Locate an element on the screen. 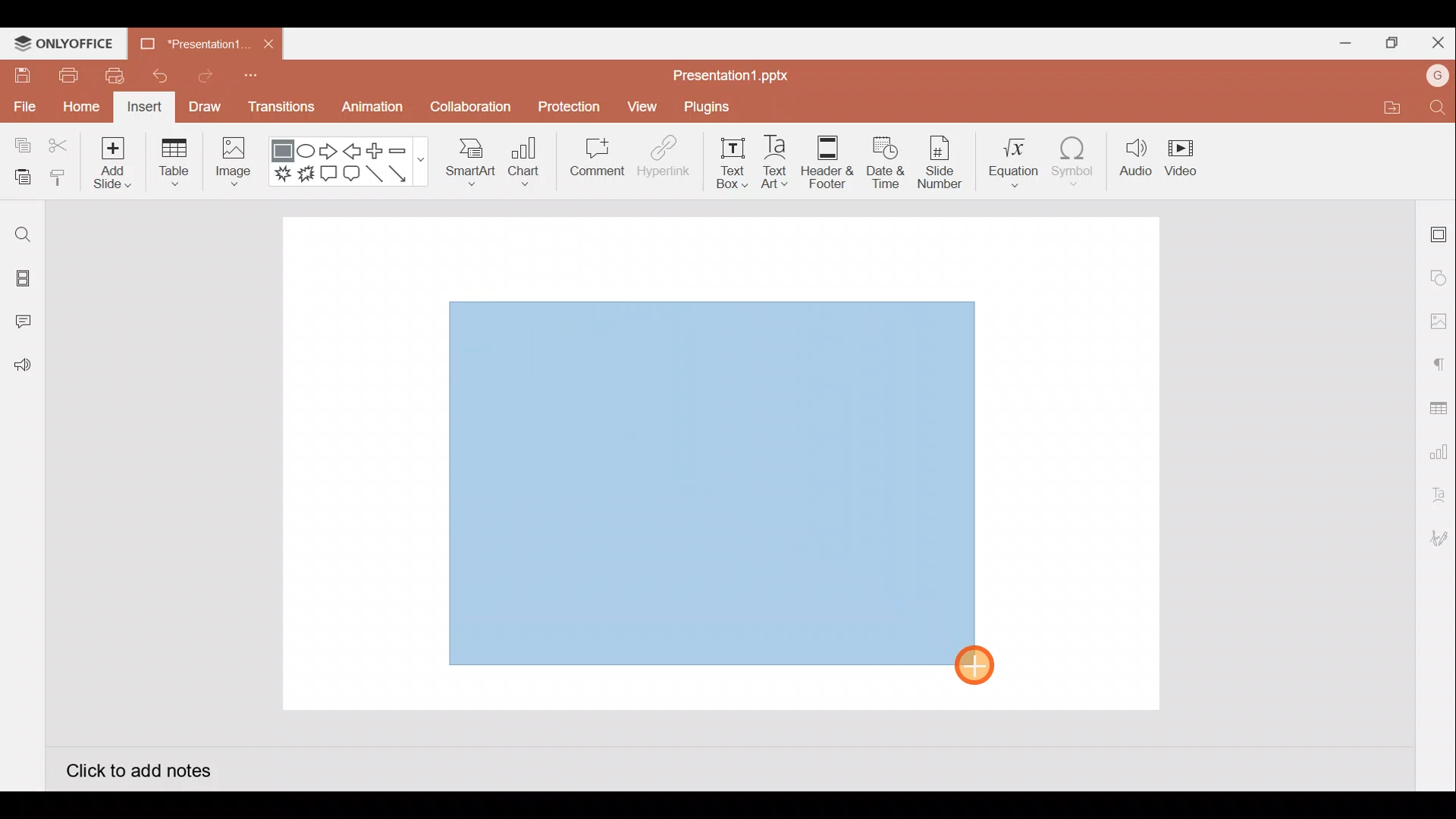 The image size is (1456, 819). Add slide is located at coordinates (110, 159).